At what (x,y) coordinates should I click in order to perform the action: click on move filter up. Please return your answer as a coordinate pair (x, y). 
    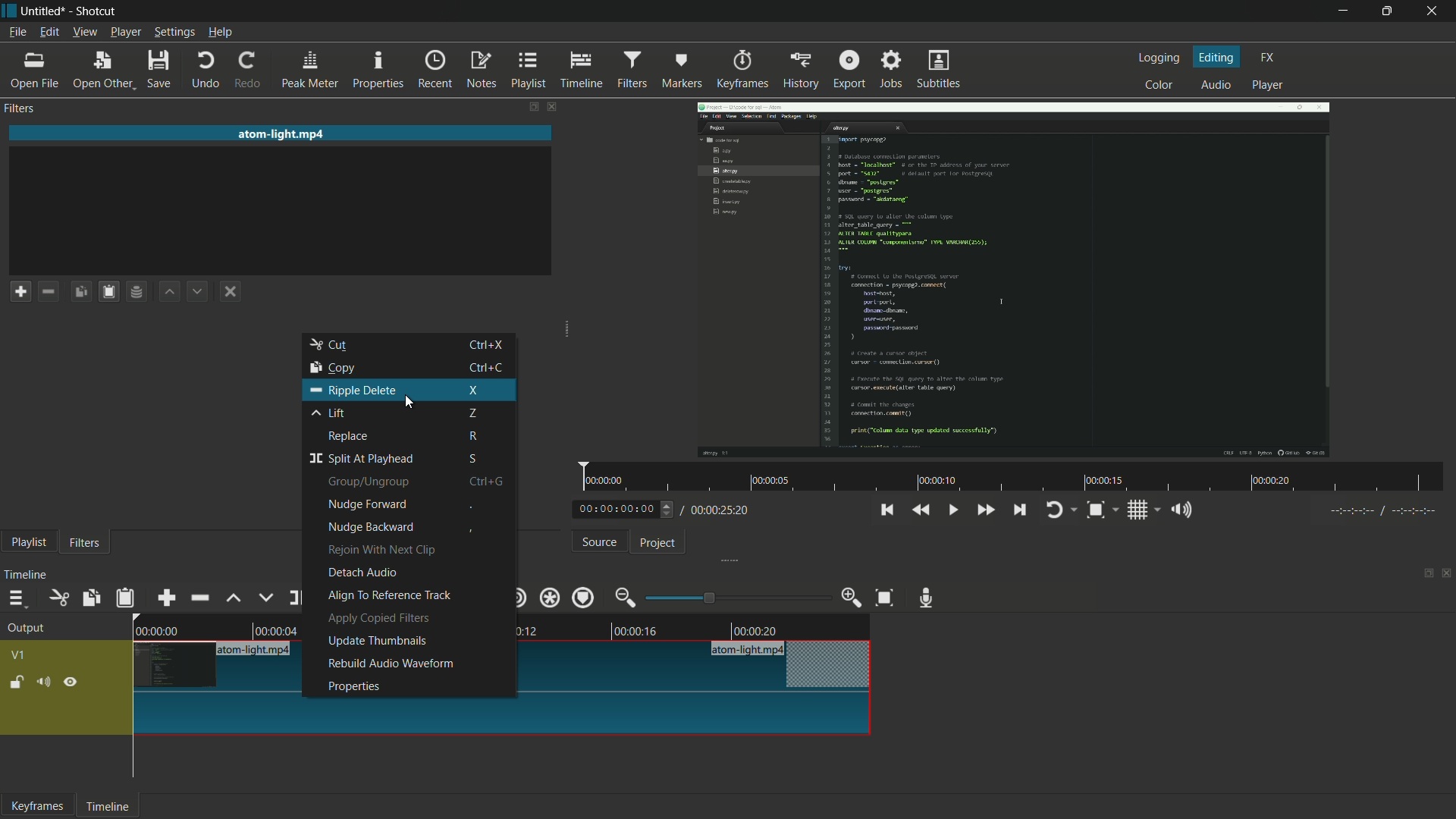
    Looking at the image, I should click on (171, 291).